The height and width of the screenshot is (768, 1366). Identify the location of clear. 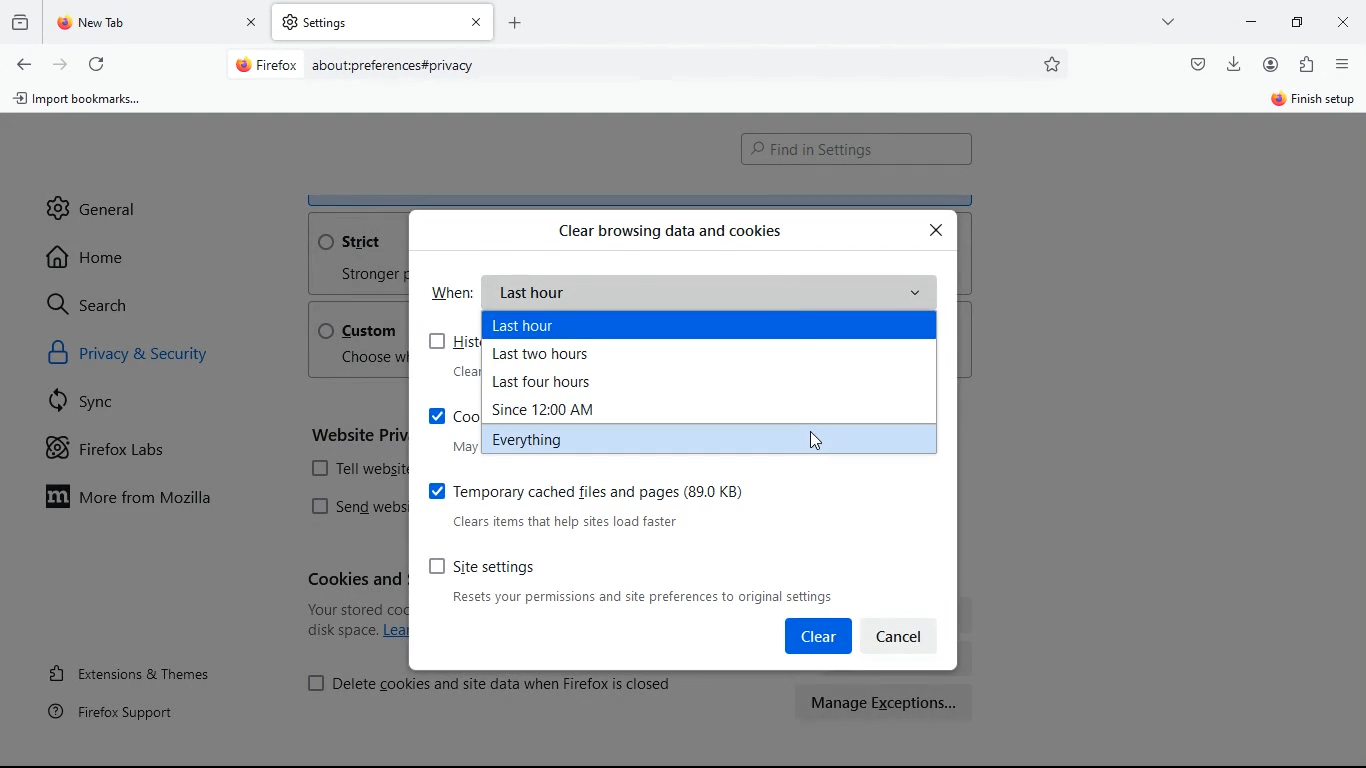
(817, 636).